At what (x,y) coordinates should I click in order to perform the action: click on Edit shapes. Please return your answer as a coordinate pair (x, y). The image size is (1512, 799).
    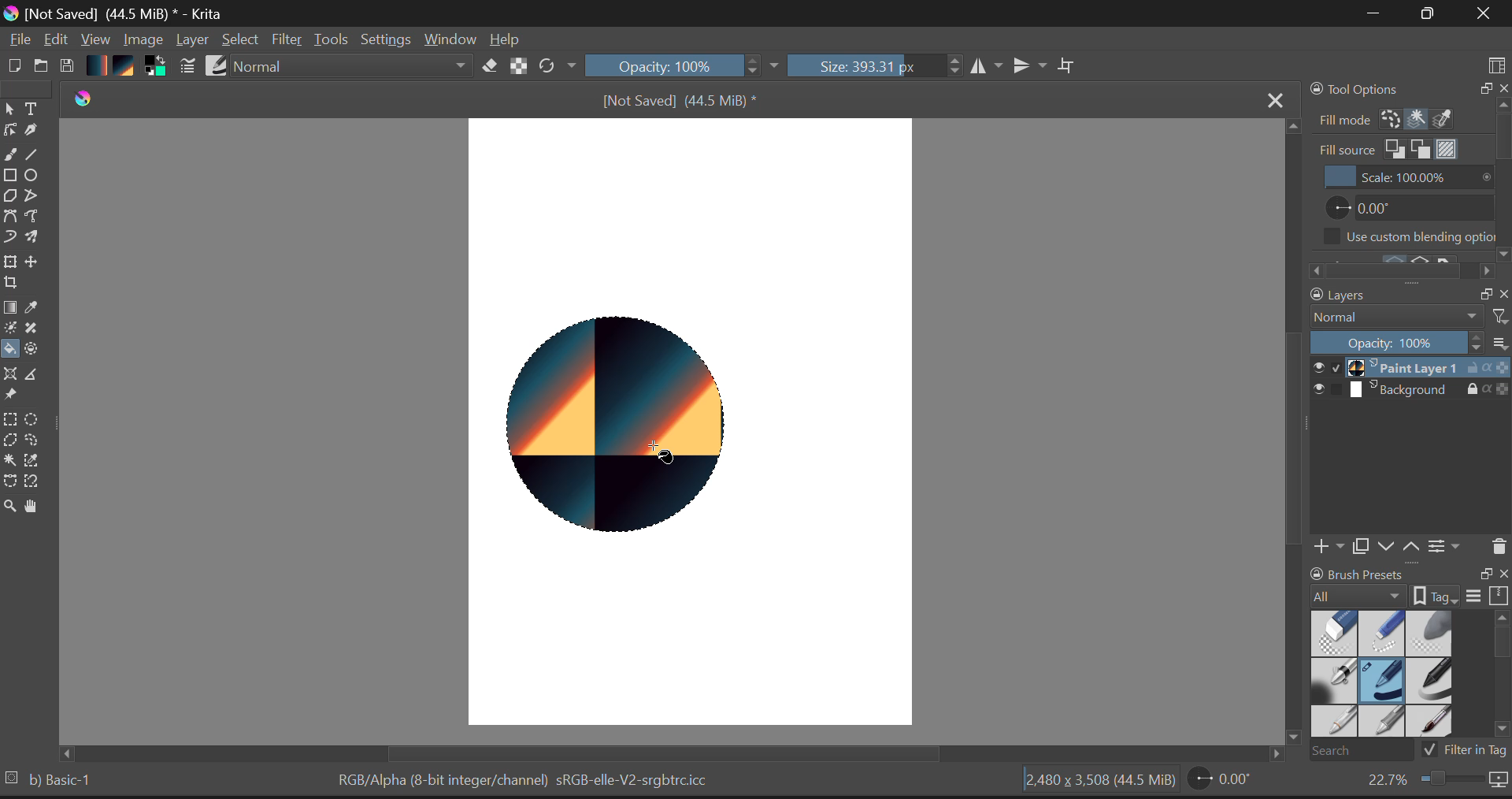
    Looking at the image, I should click on (9, 132).